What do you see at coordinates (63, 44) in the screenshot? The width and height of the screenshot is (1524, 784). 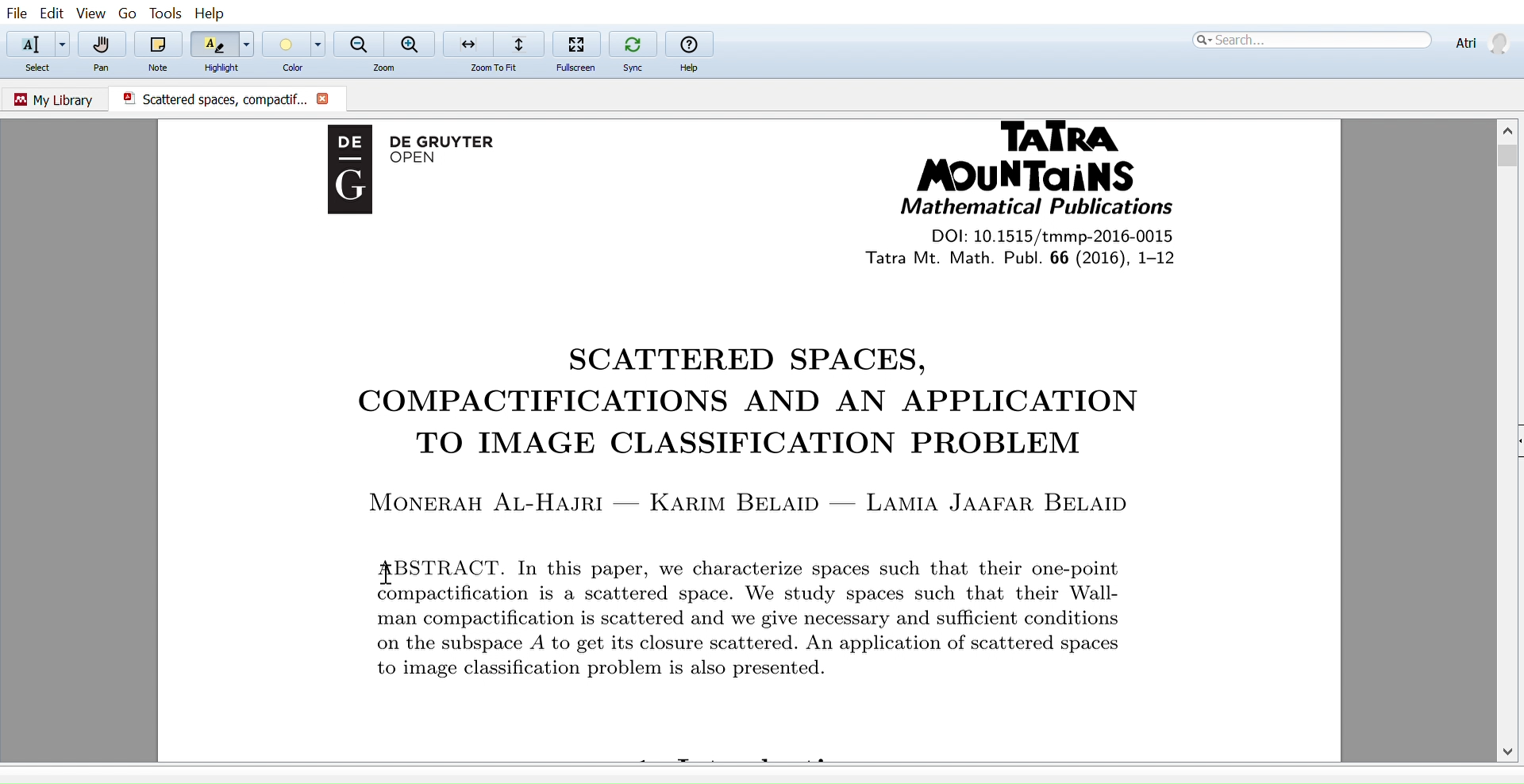 I see `Add text options` at bounding box center [63, 44].